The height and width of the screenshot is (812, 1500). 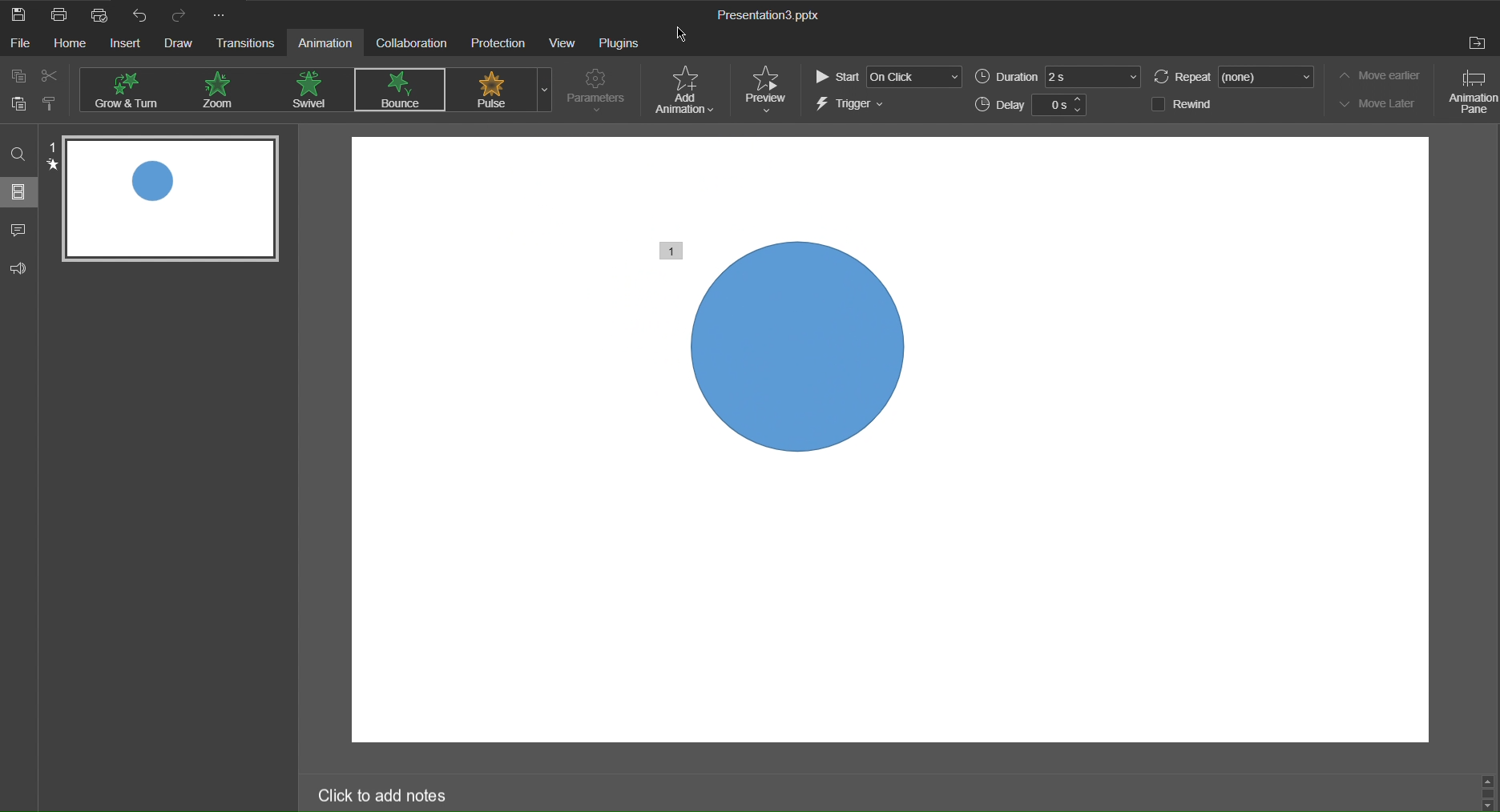 I want to click on Slide, so click(x=20, y=193).